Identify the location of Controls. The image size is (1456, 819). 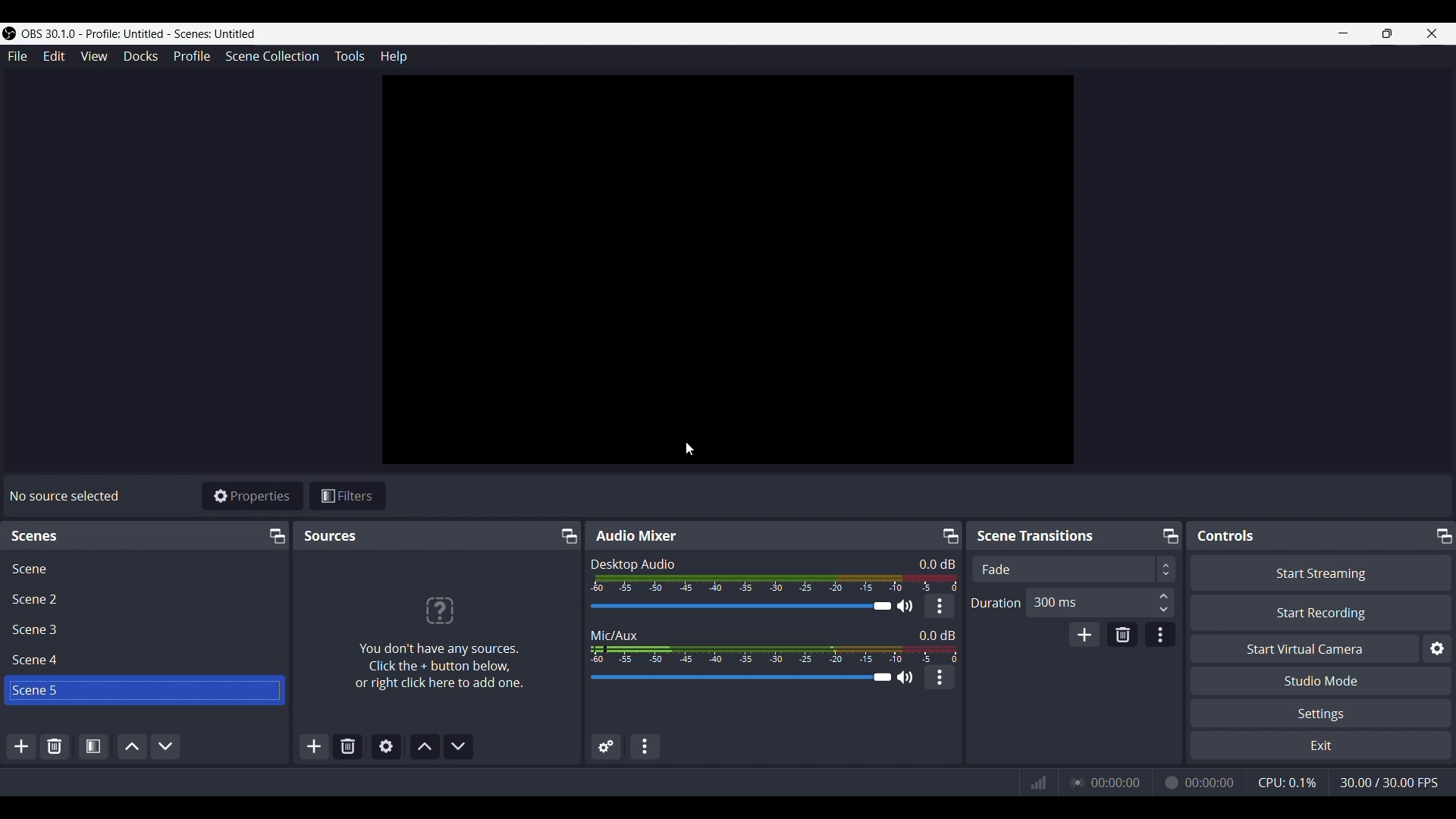
(1226, 536).